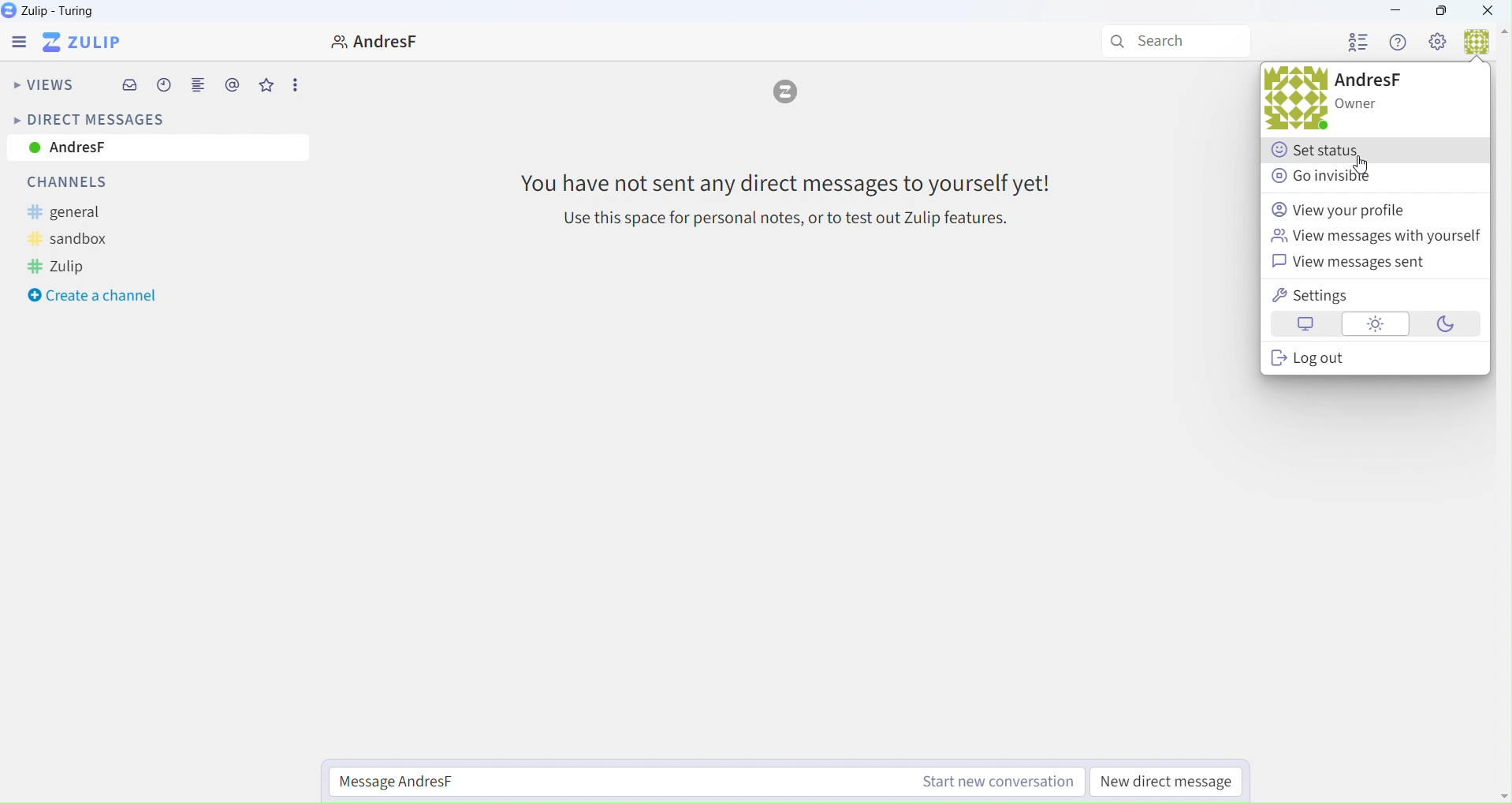 Image resolution: width=1512 pixels, height=803 pixels. I want to click on Merge View, so click(198, 88).